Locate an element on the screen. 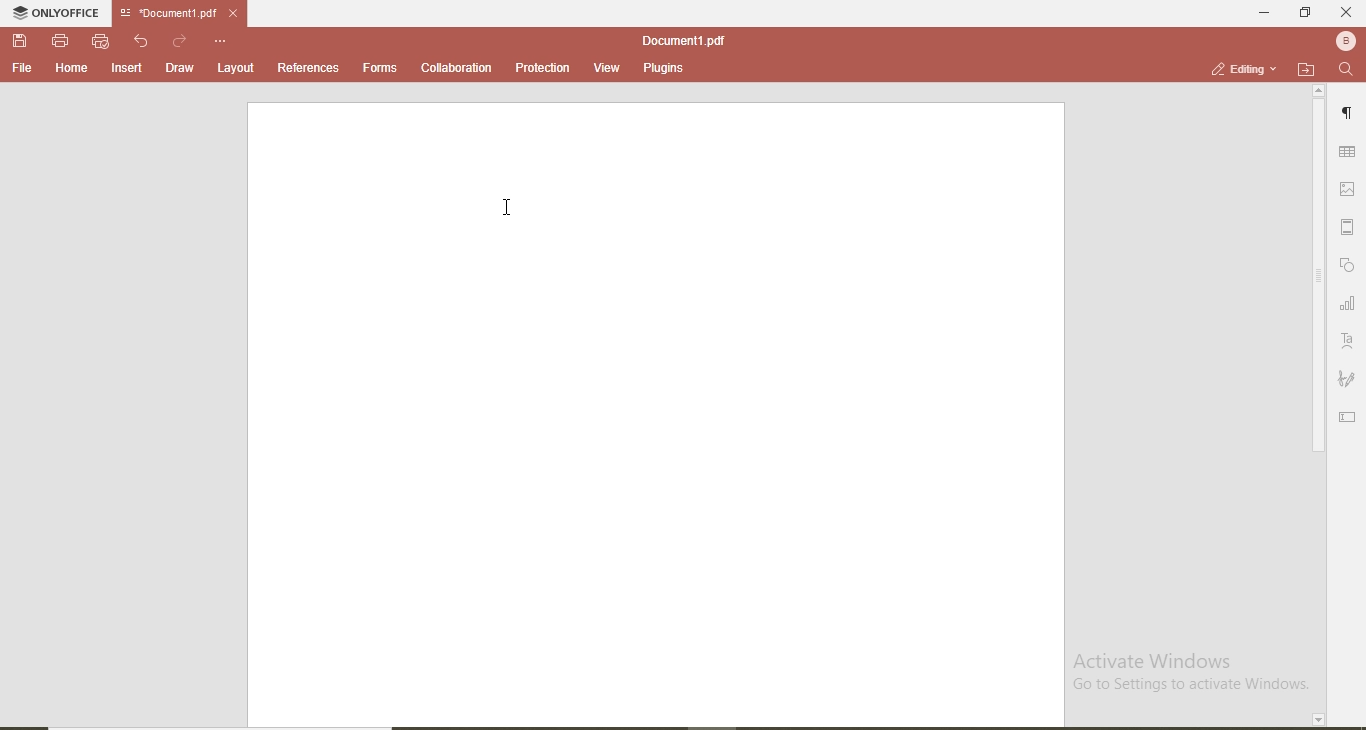  print is located at coordinates (58, 40).